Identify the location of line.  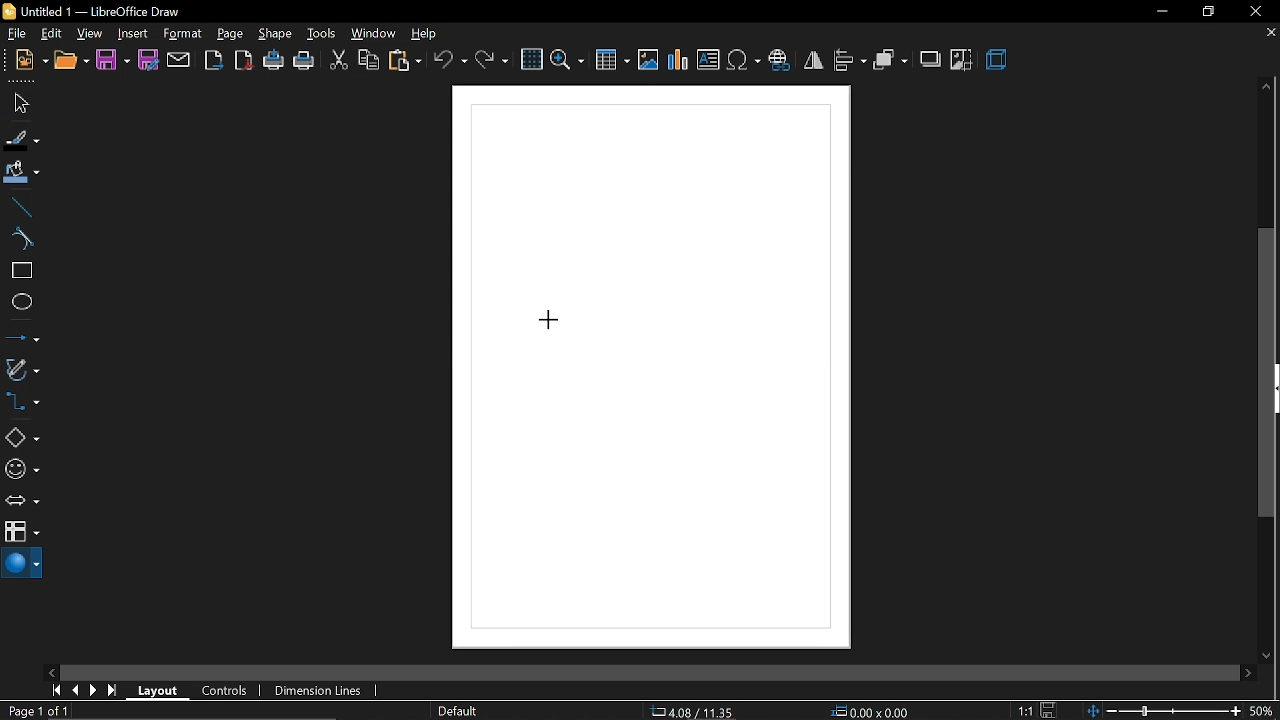
(20, 207).